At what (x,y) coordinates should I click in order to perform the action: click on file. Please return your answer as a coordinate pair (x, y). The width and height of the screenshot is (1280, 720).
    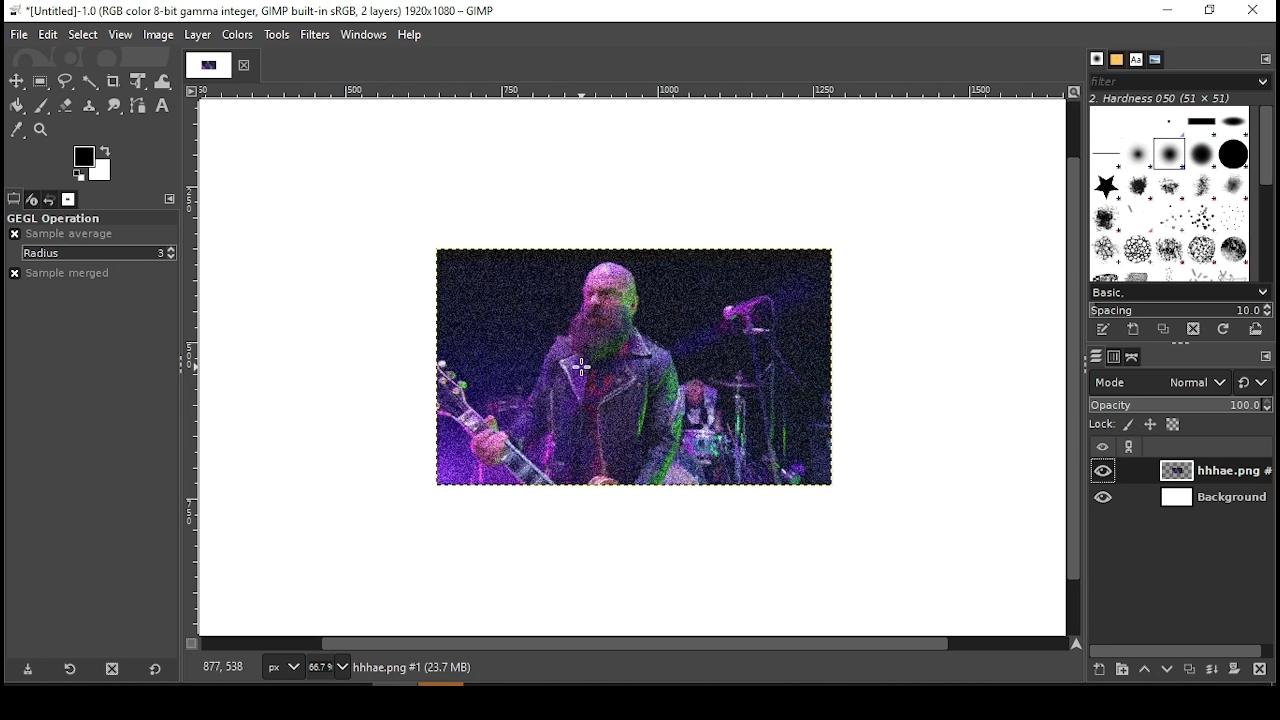
    Looking at the image, I should click on (17, 34).